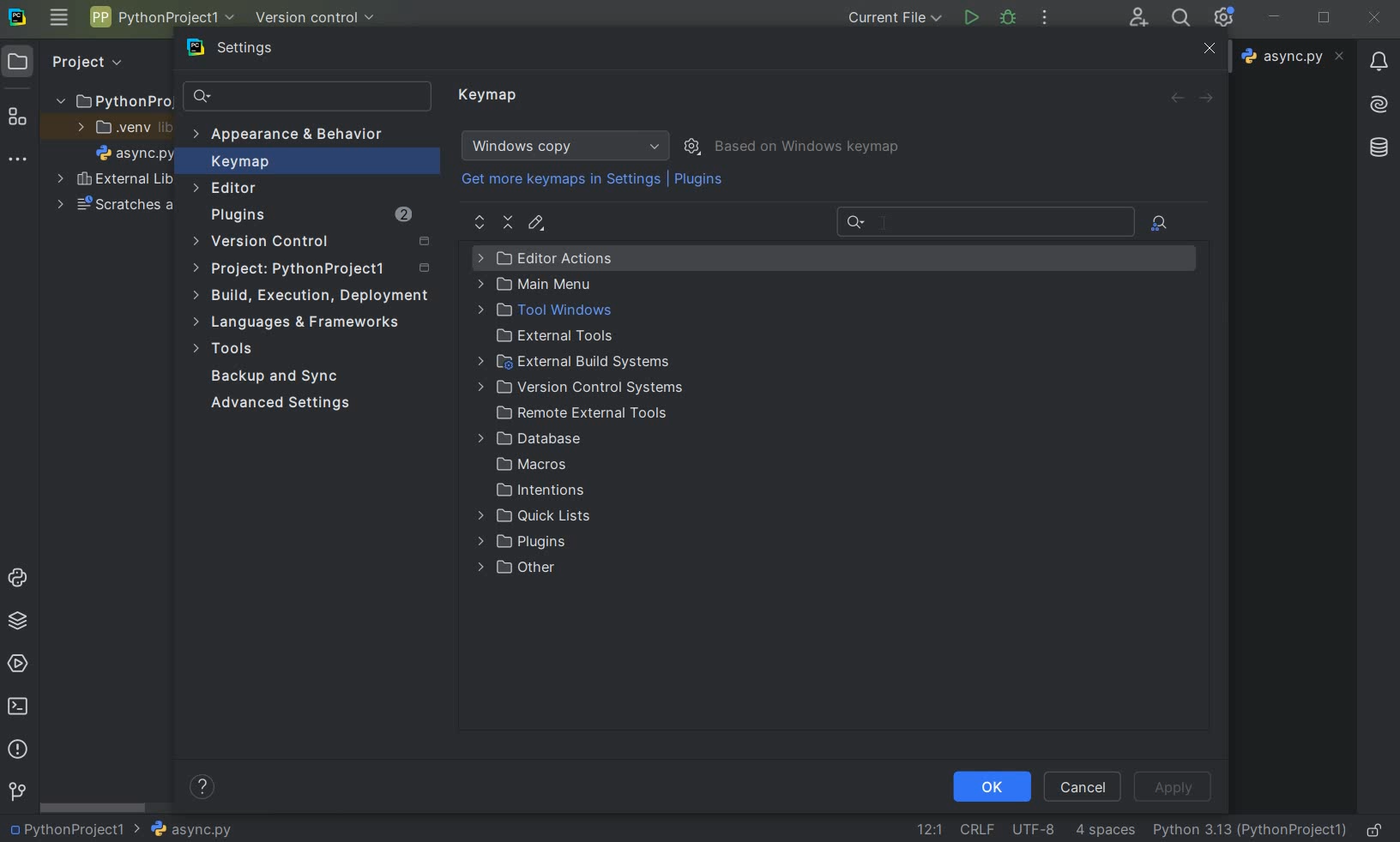 The height and width of the screenshot is (842, 1400). Describe the element at coordinates (115, 181) in the screenshot. I see `external libraries` at that location.